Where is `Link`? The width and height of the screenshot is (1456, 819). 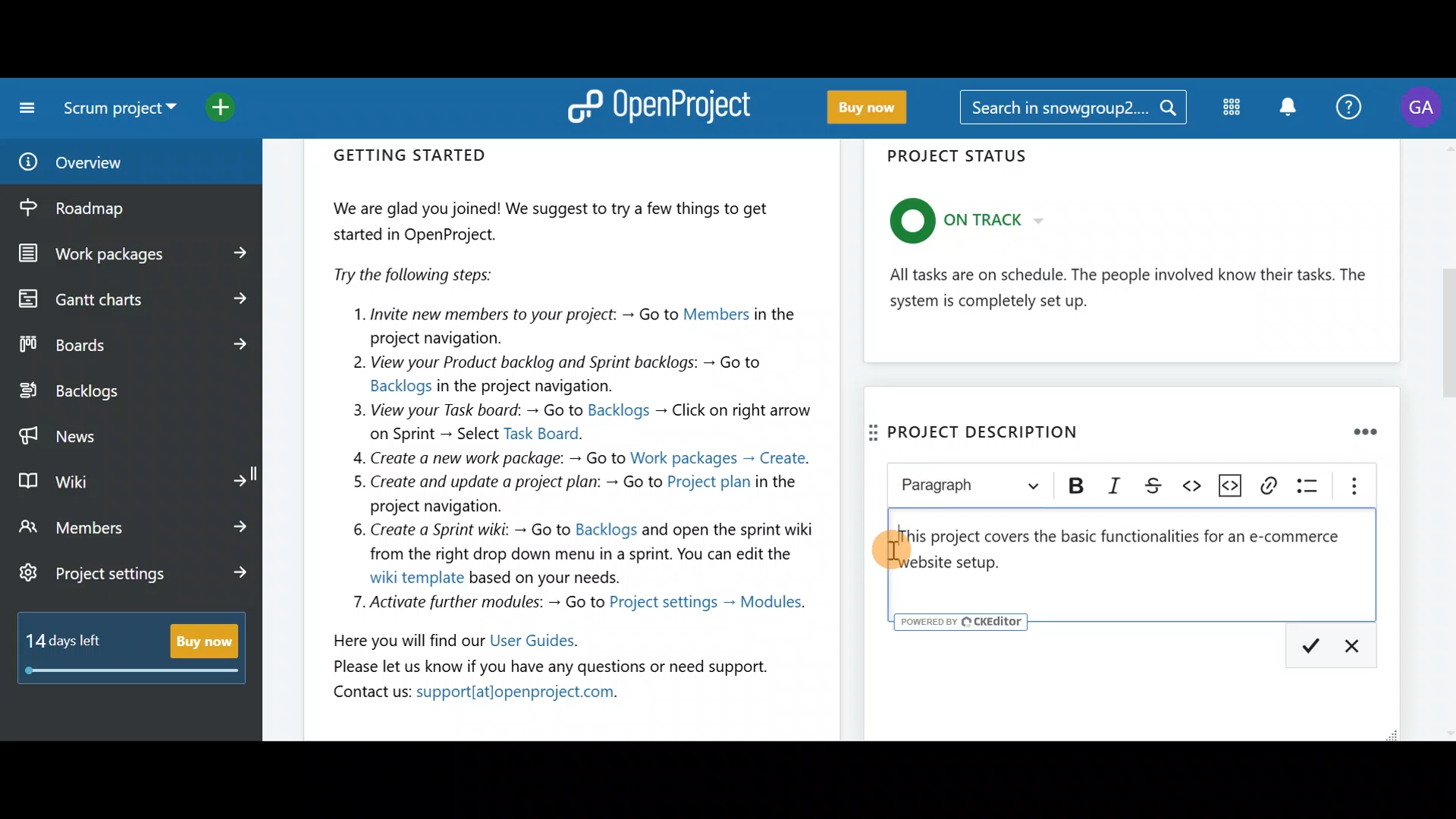 Link is located at coordinates (1269, 488).